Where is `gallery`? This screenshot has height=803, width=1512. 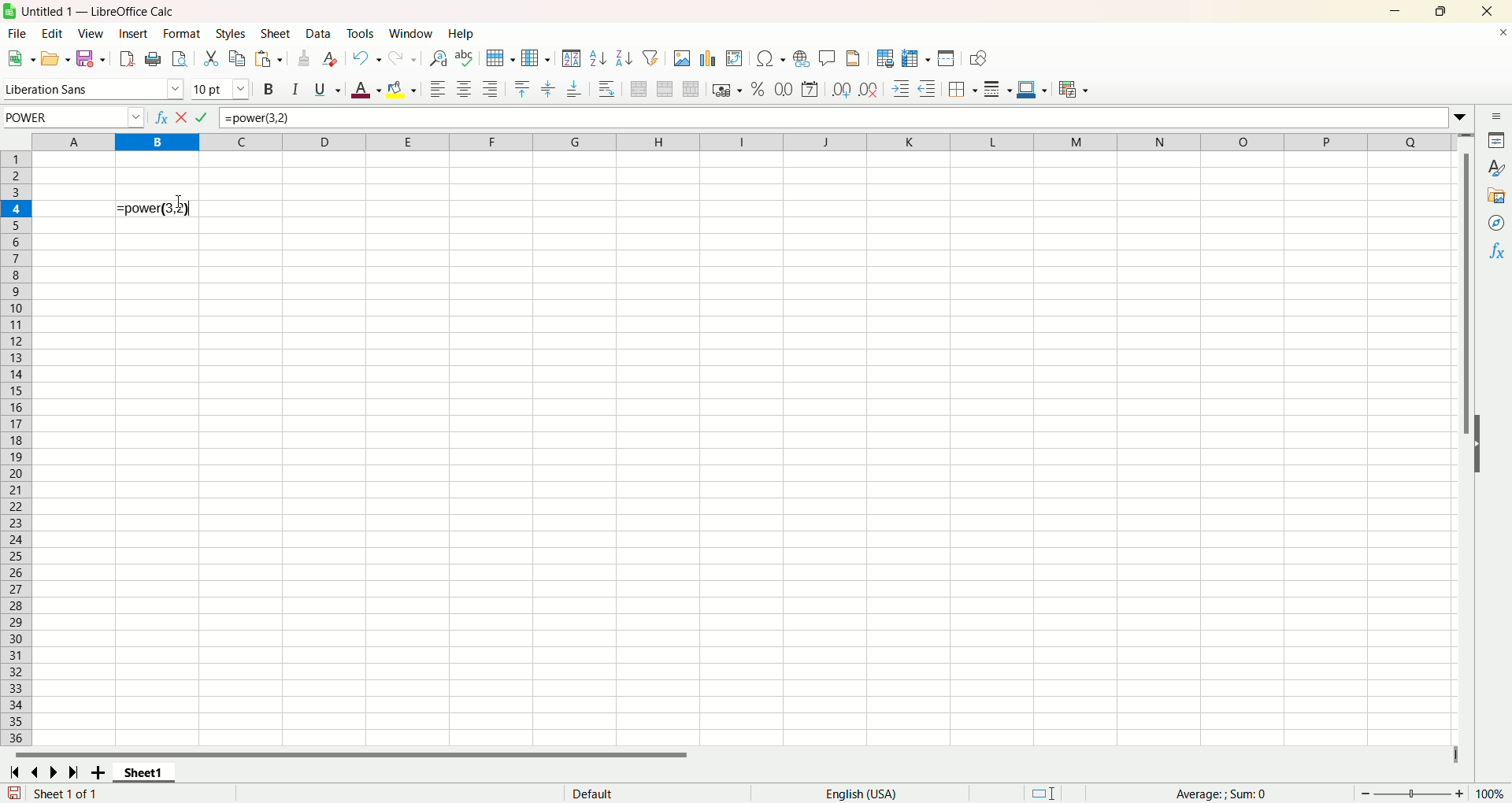
gallery is located at coordinates (1496, 196).